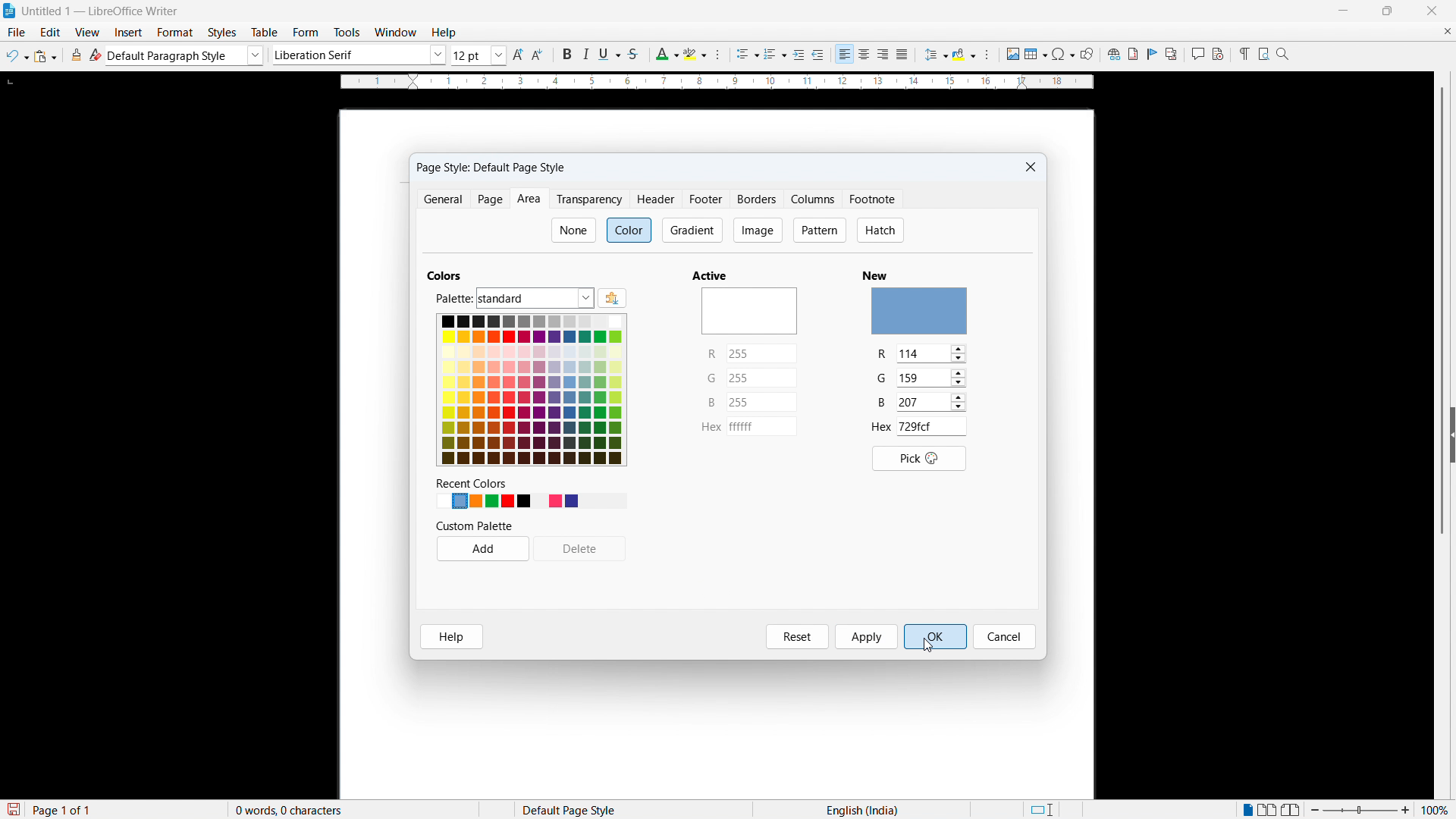 The width and height of the screenshot is (1456, 819). I want to click on palette, so click(453, 299).